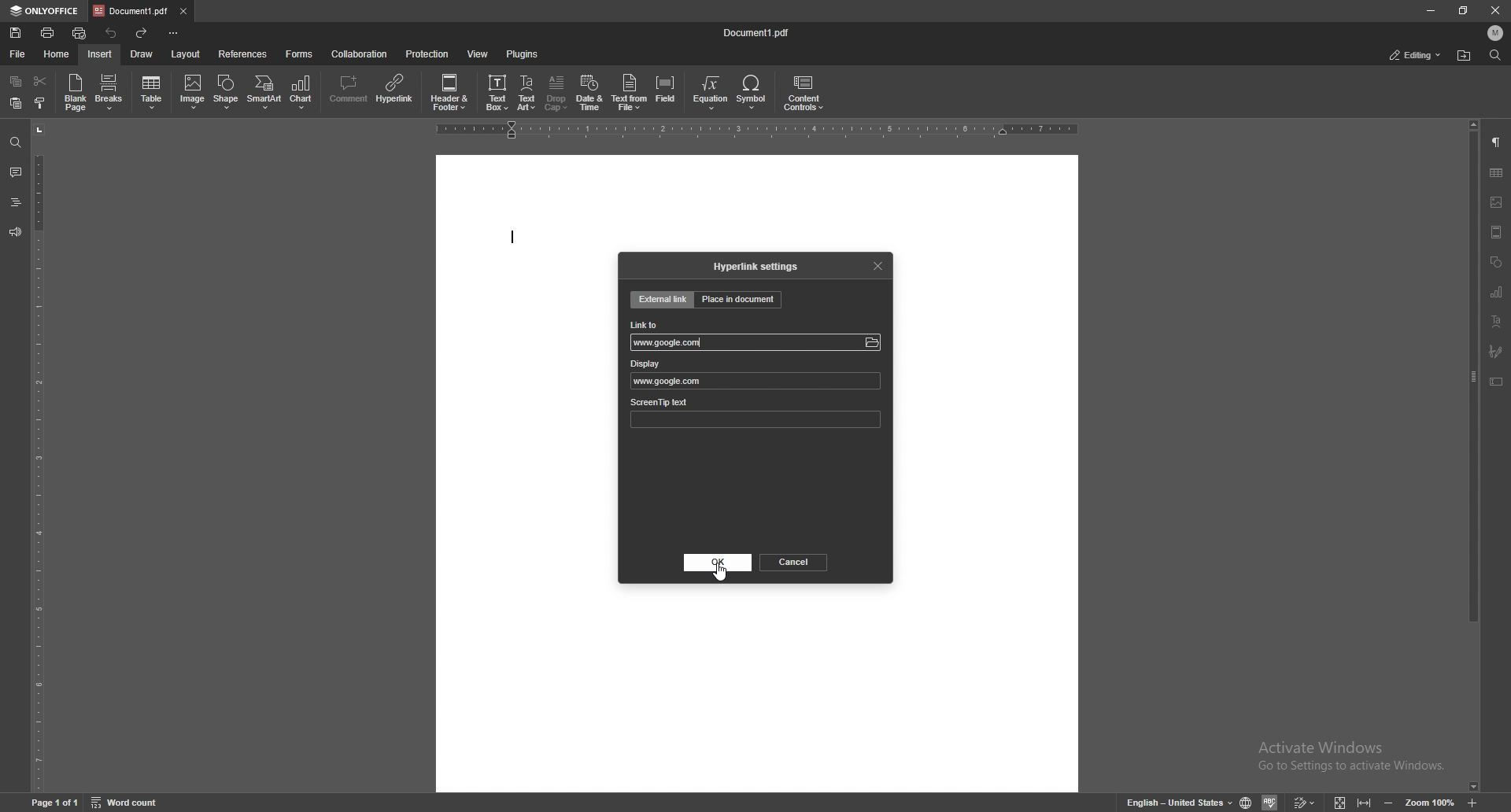  Describe the element at coordinates (1496, 32) in the screenshot. I see `profile` at that location.